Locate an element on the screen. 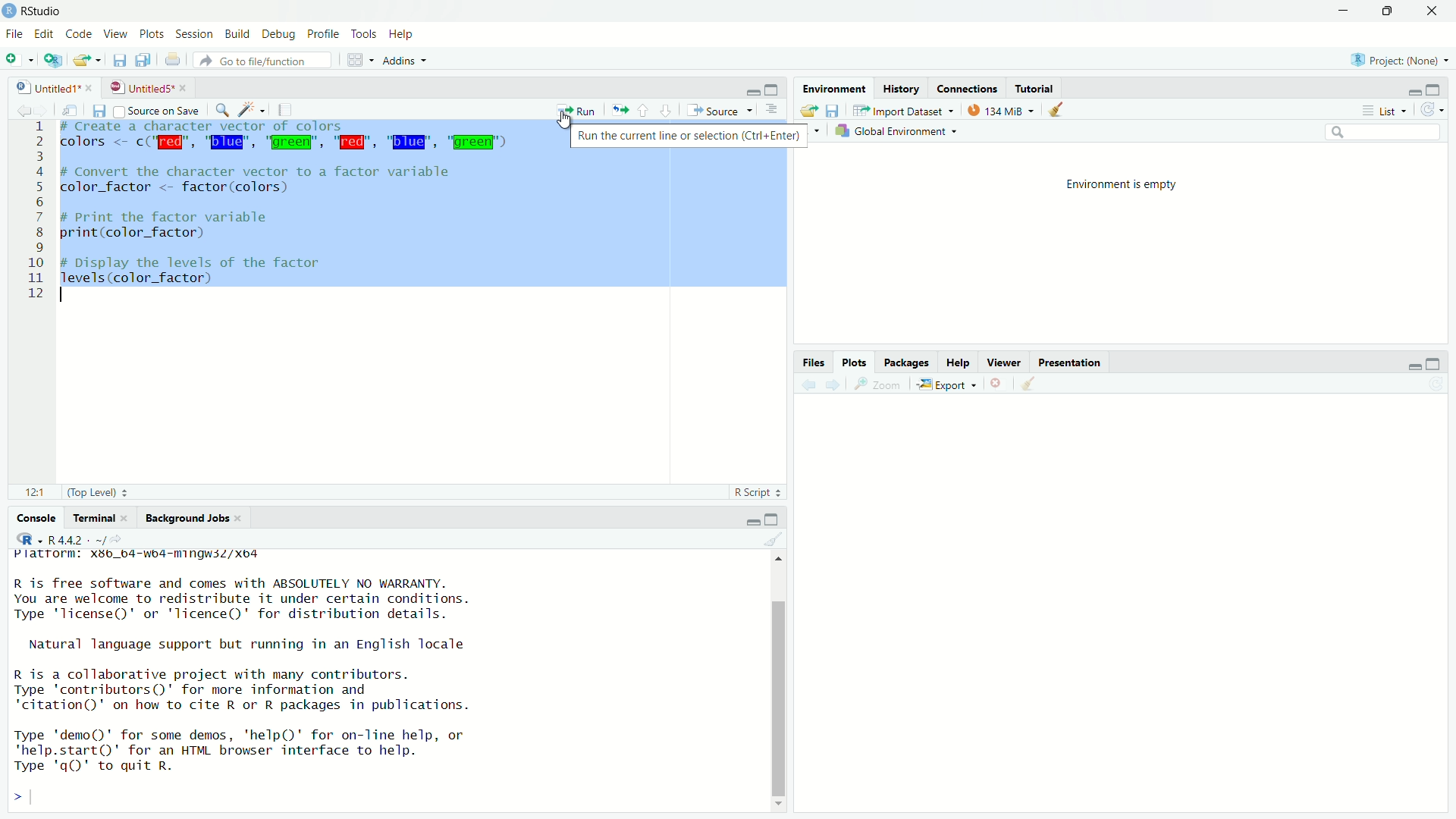 This screenshot has width=1456, height=819. tools is located at coordinates (366, 32).